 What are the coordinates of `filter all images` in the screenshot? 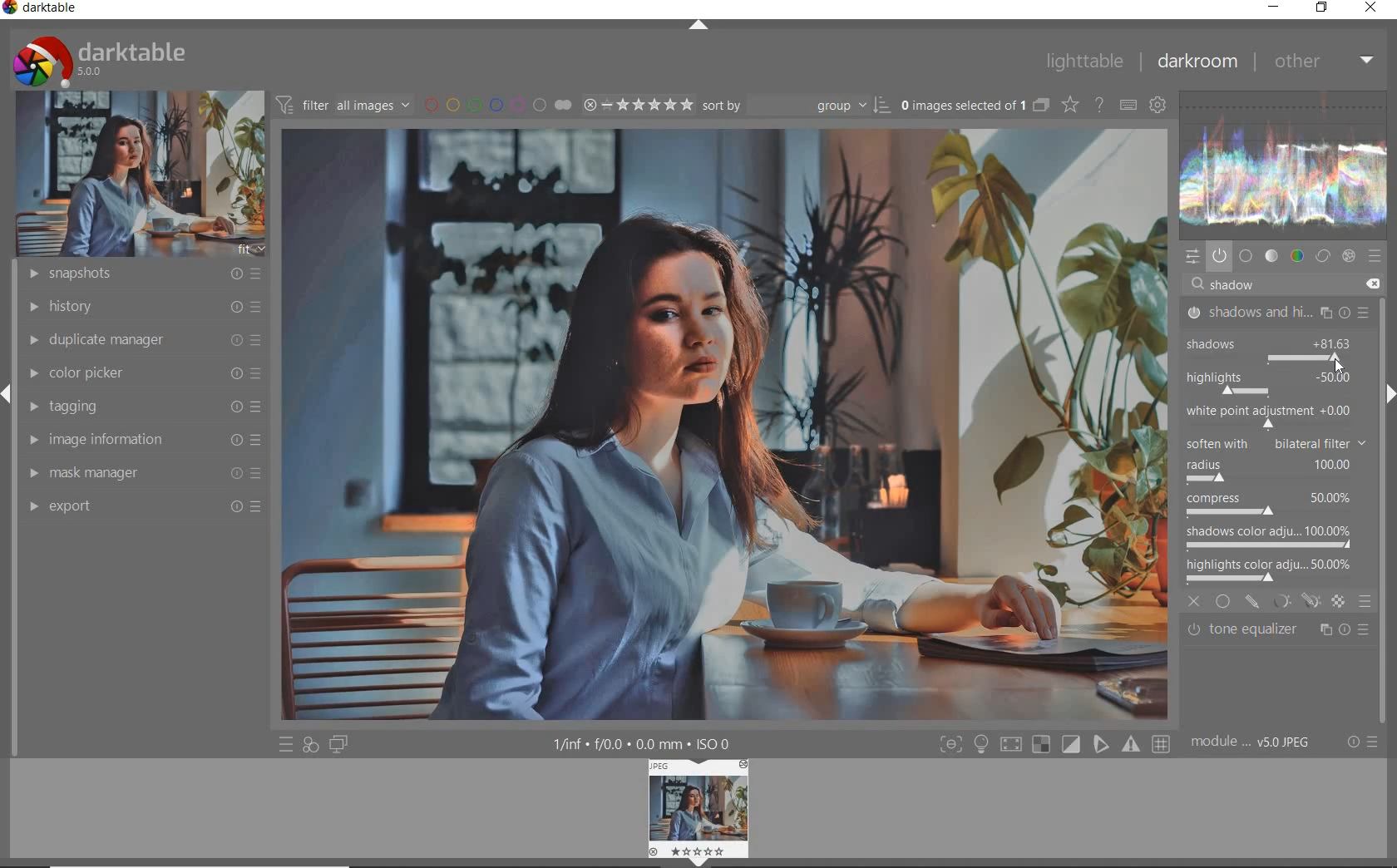 It's located at (343, 104).